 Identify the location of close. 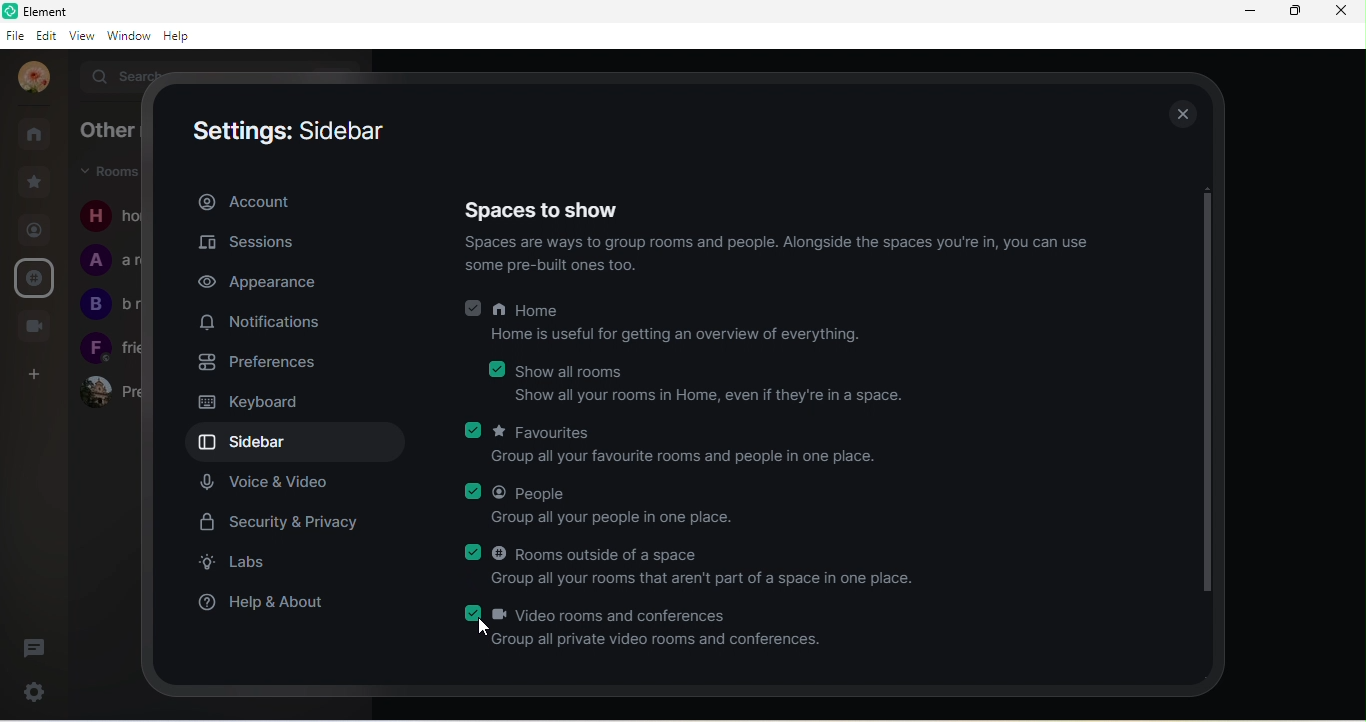
(1344, 13).